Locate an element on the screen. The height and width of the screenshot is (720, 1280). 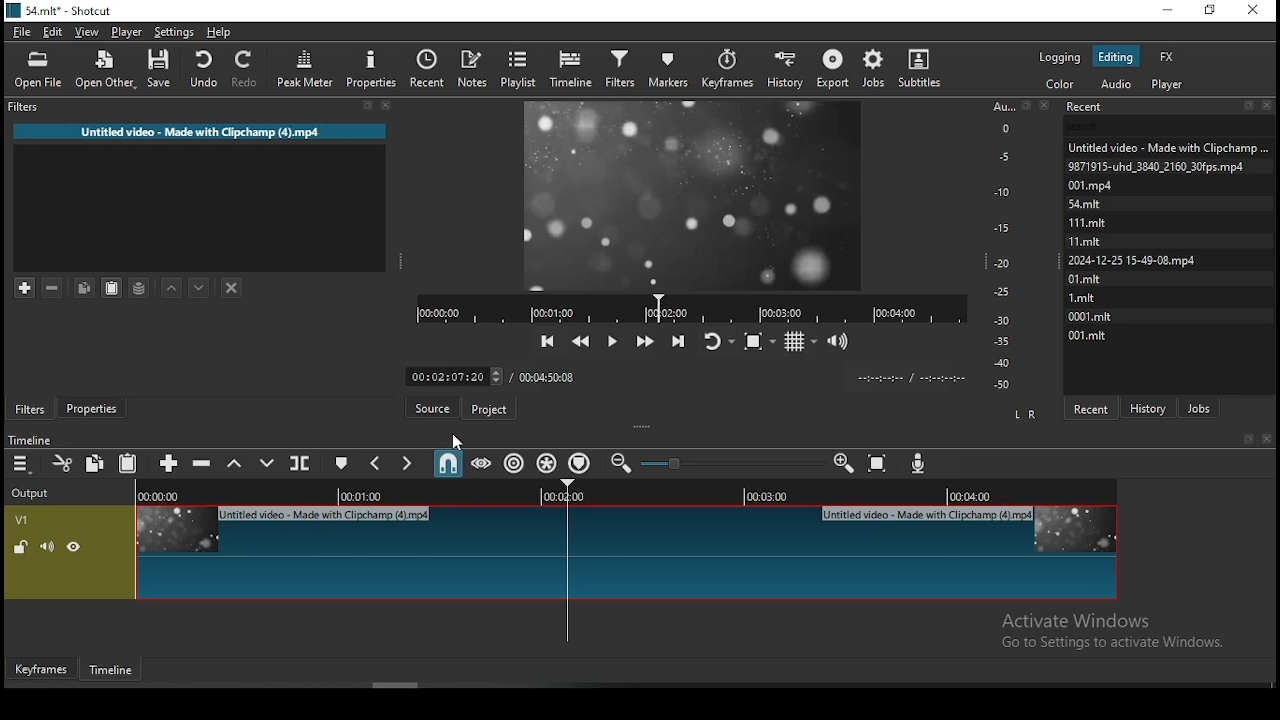
save is located at coordinates (163, 68).